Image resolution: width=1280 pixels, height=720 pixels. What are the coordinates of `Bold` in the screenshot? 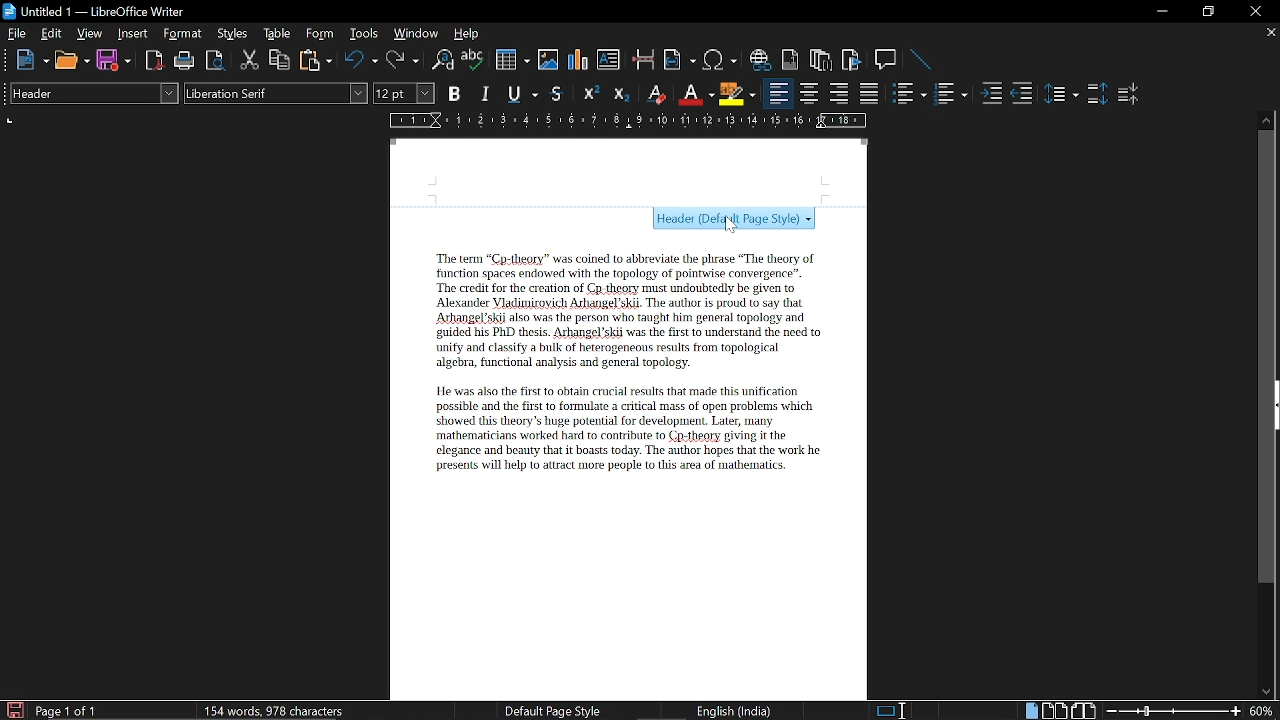 It's located at (454, 96).